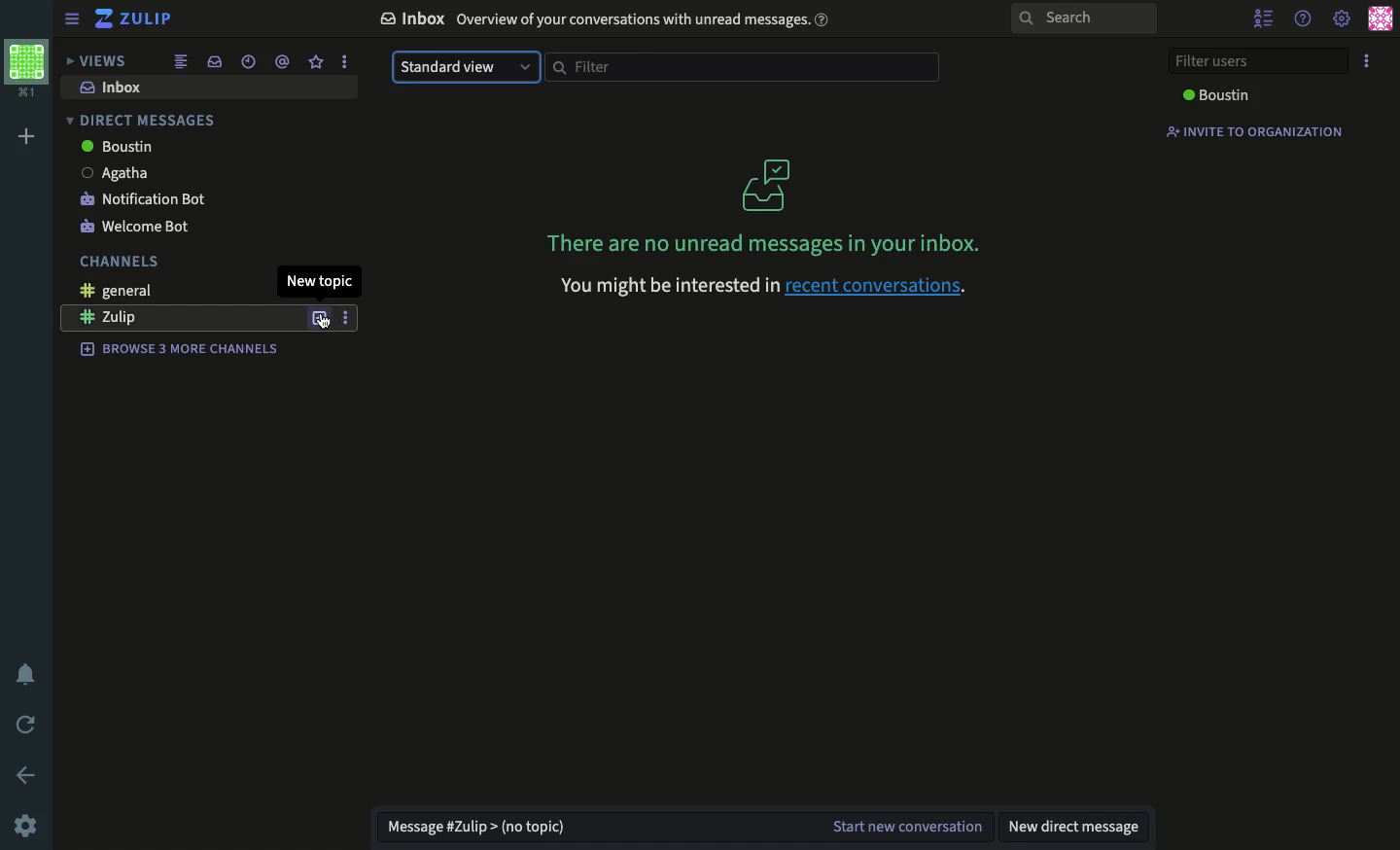  What do you see at coordinates (320, 319) in the screenshot?
I see `new topic` at bounding box center [320, 319].